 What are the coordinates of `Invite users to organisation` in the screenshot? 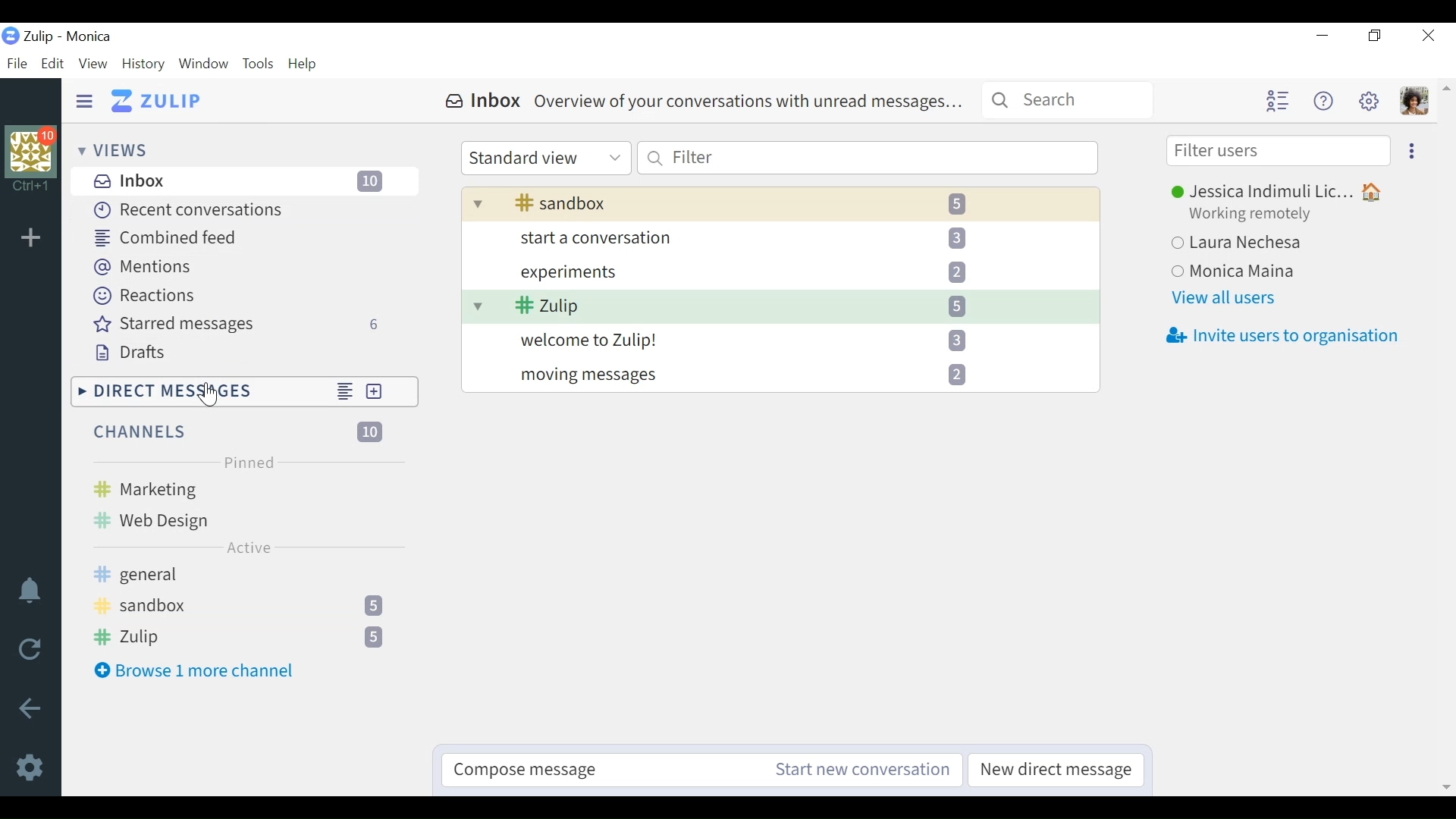 It's located at (1278, 334).